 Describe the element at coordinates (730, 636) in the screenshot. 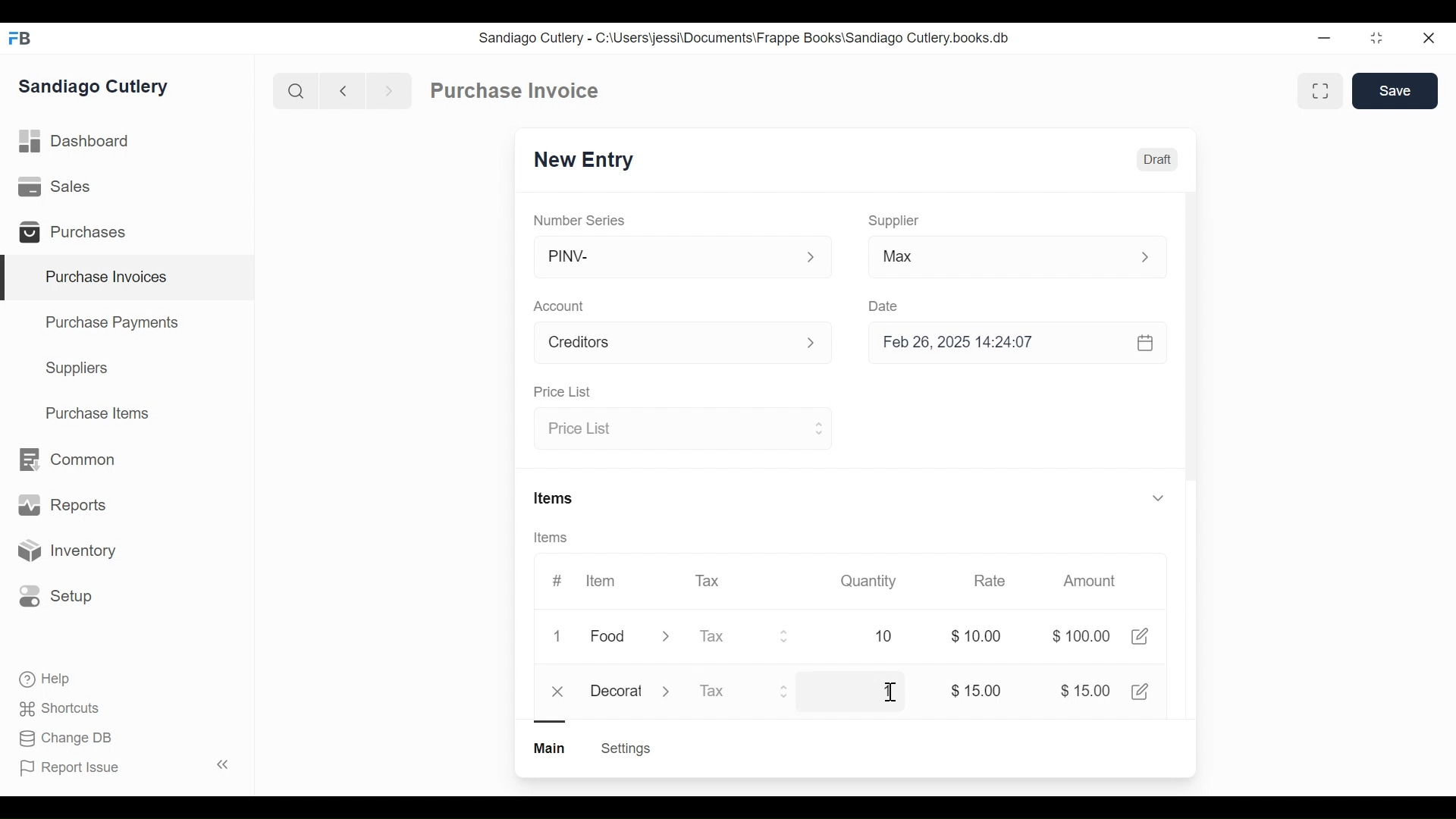

I see `Tax` at that location.